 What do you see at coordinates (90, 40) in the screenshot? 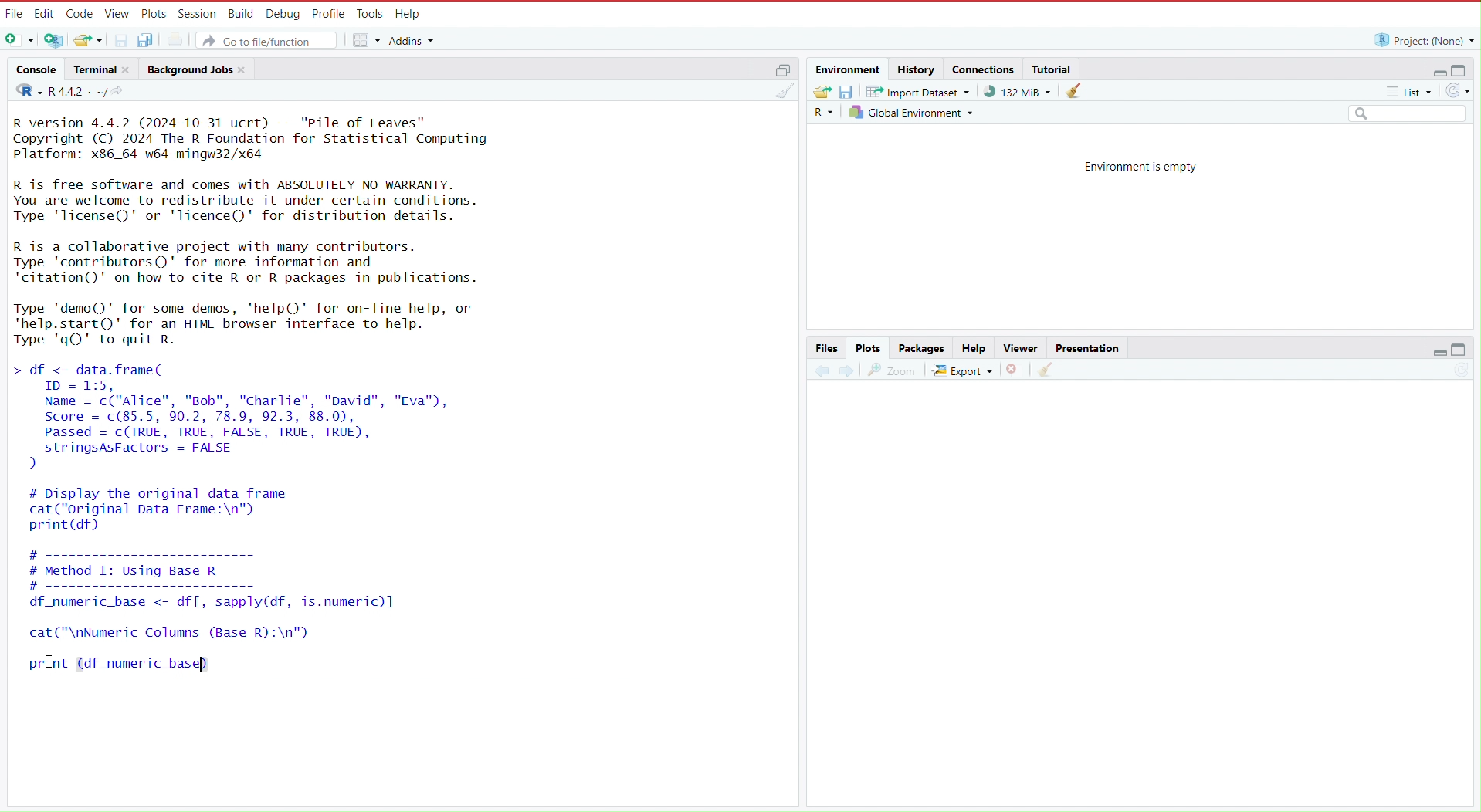
I see `Open an existing file` at bounding box center [90, 40].